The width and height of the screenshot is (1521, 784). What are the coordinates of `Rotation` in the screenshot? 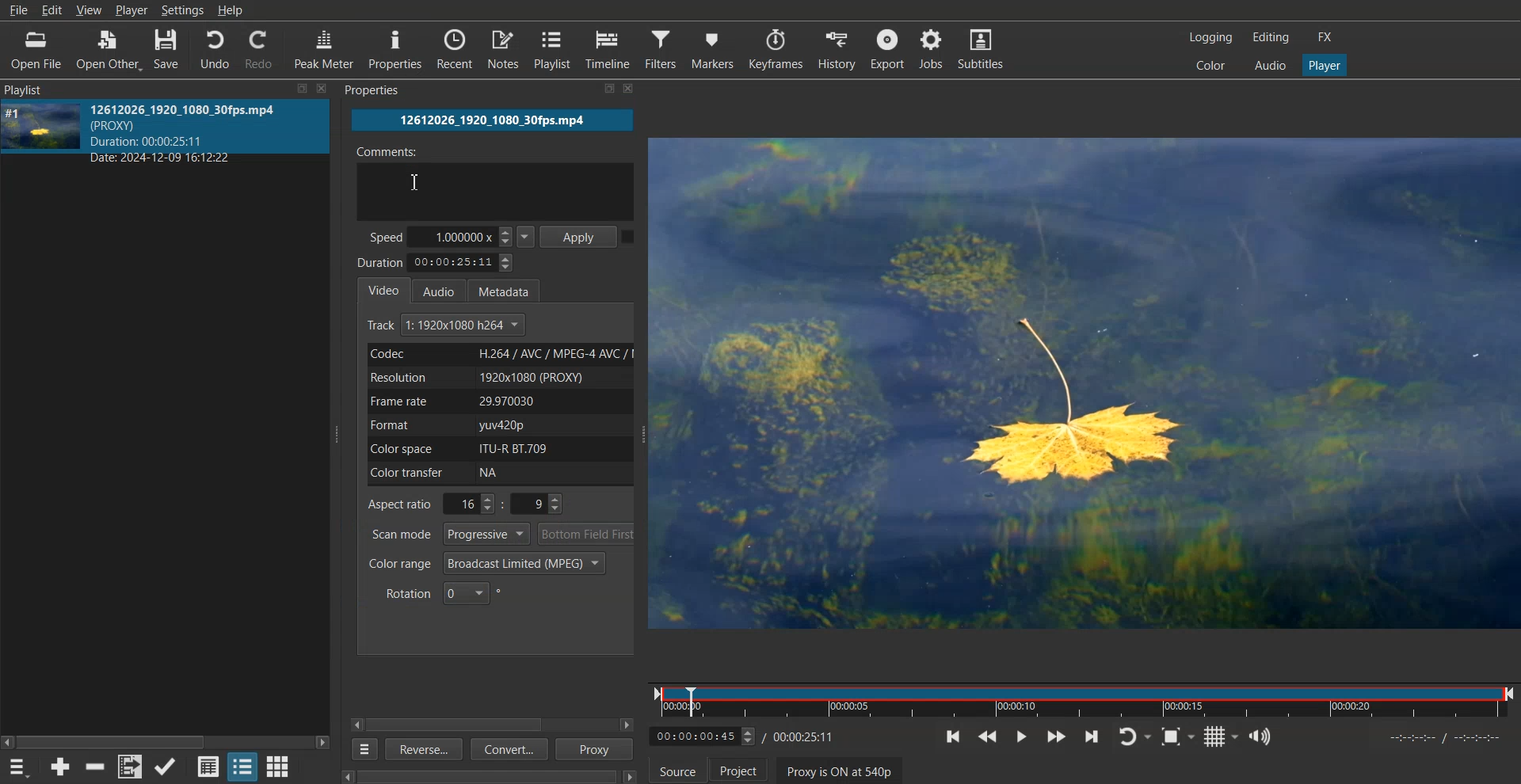 It's located at (444, 592).